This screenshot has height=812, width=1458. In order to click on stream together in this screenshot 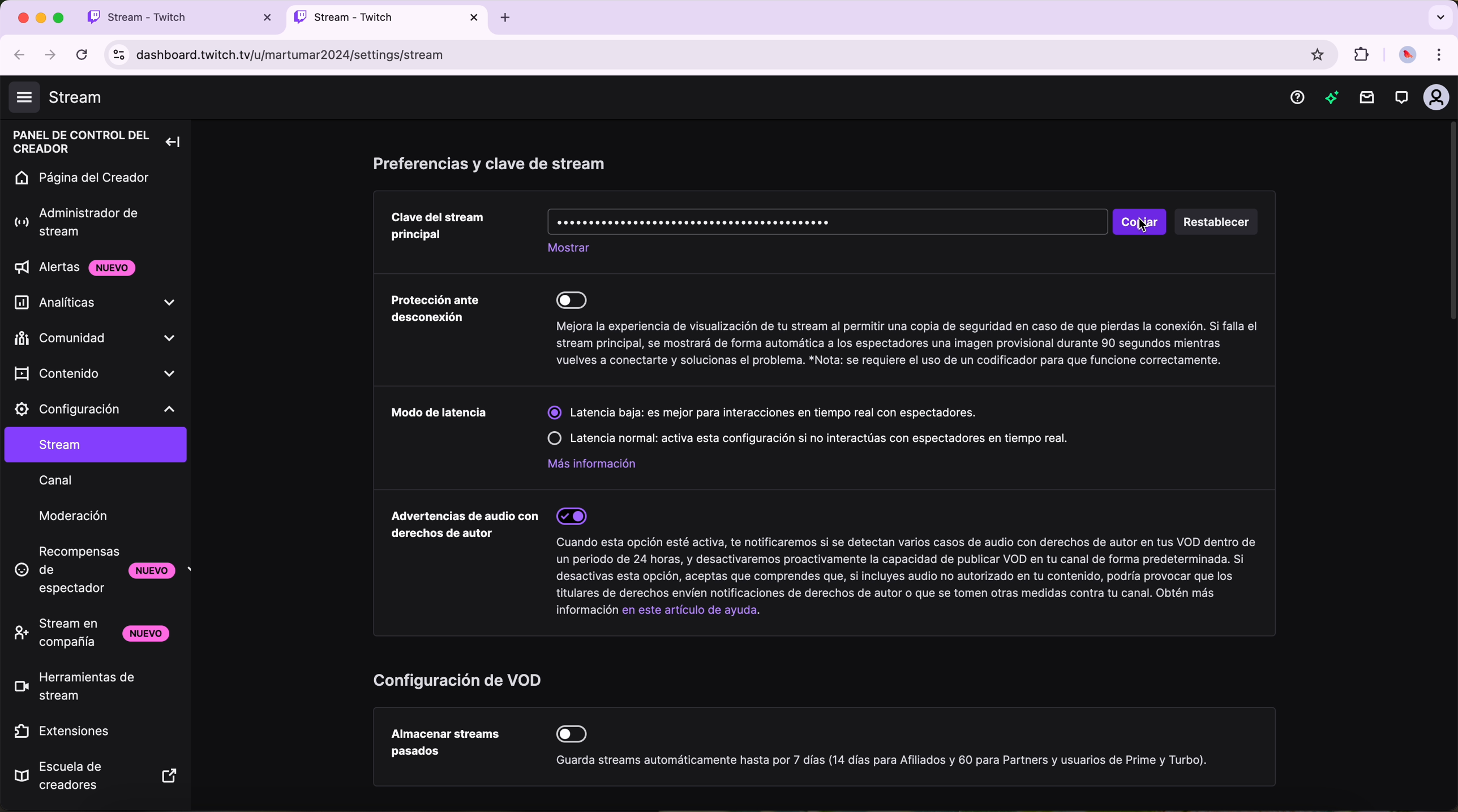, I will do `click(89, 635)`.